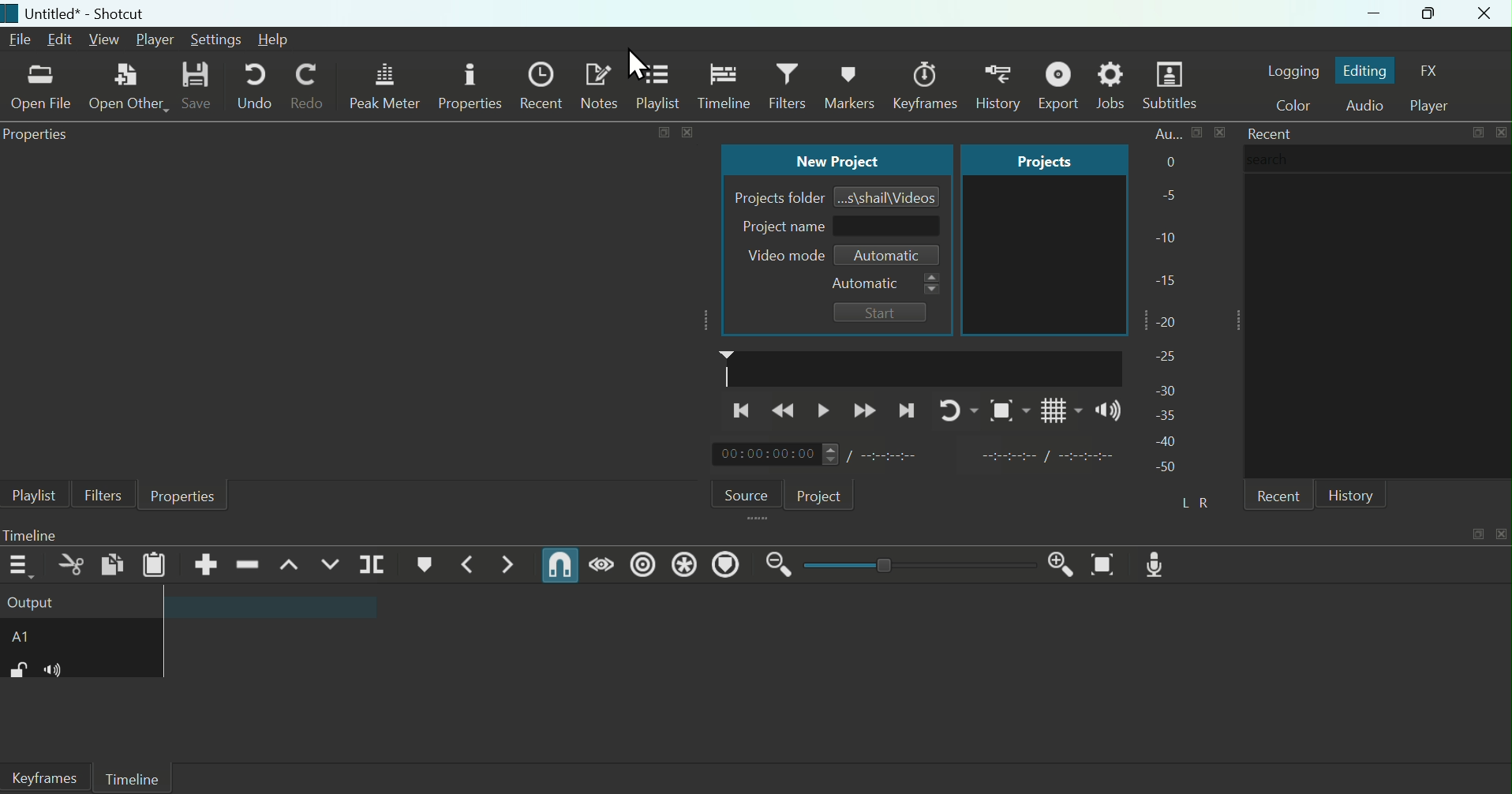 The width and height of the screenshot is (1512, 794). What do you see at coordinates (331, 565) in the screenshot?
I see `Overwrite` at bounding box center [331, 565].